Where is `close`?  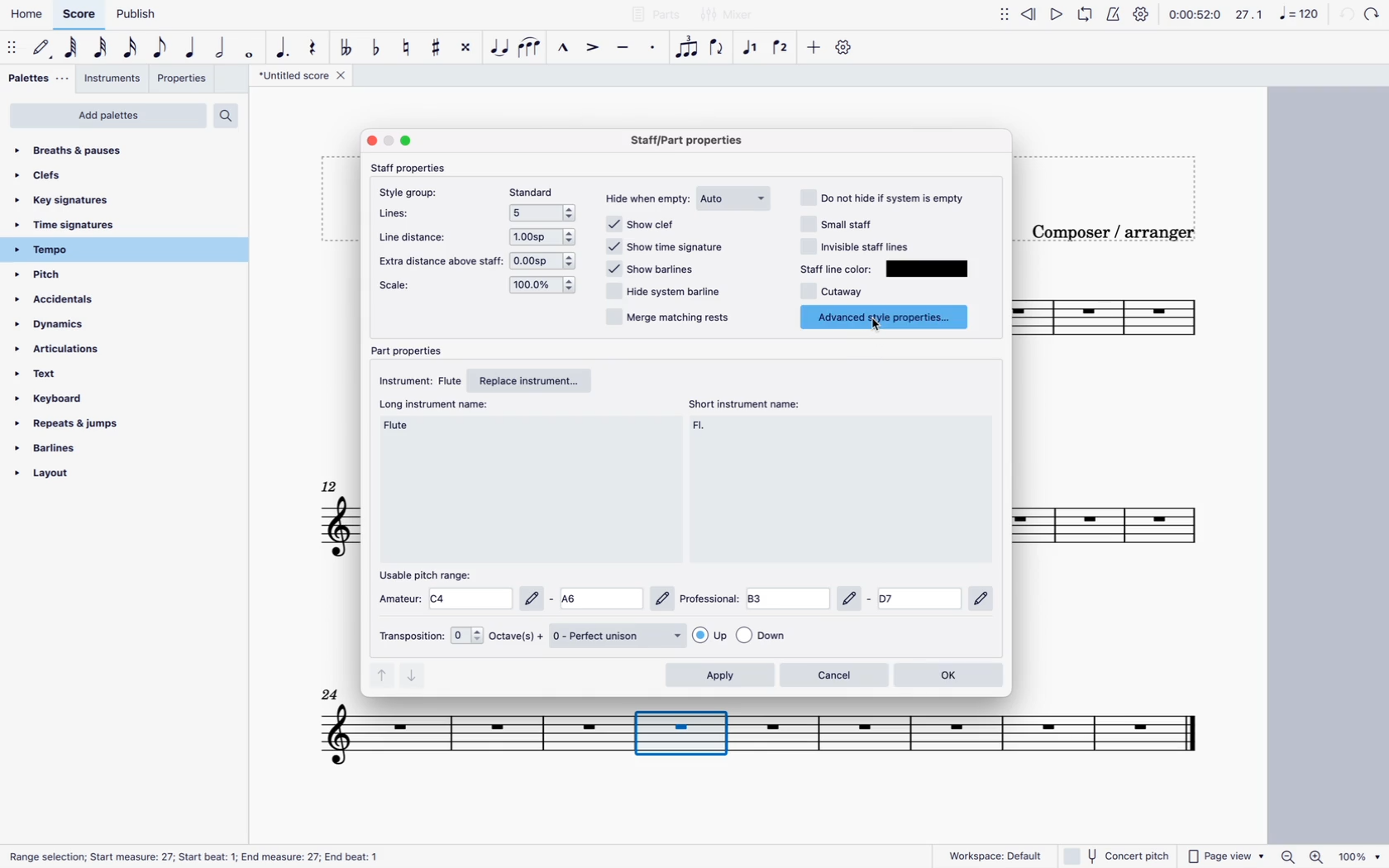
close is located at coordinates (369, 141).